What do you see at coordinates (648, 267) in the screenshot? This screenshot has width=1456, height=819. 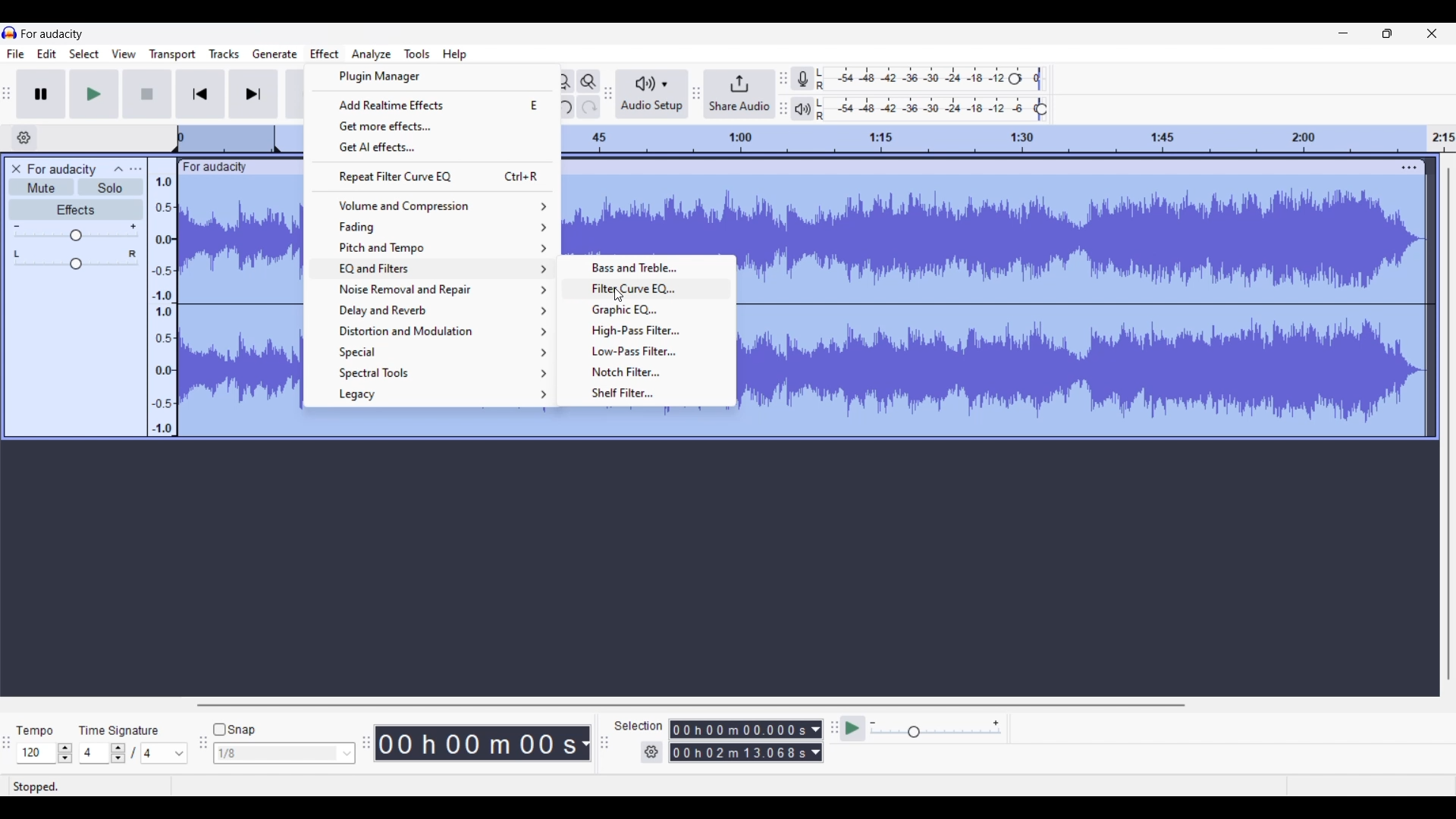 I see `Bass and Treble` at bounding box center [648, 267].